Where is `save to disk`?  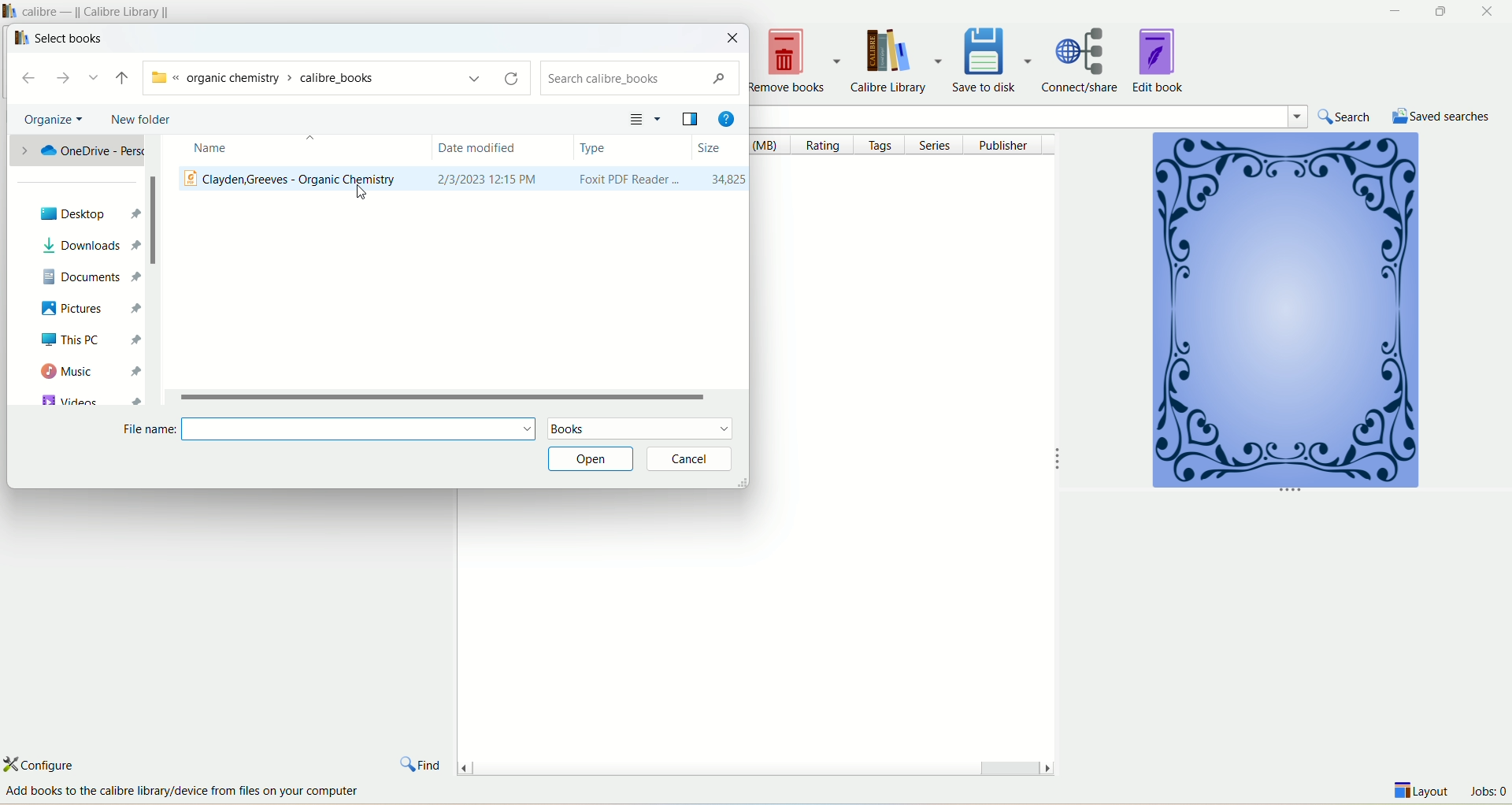 save to disk is located at coordinates (995, 58).